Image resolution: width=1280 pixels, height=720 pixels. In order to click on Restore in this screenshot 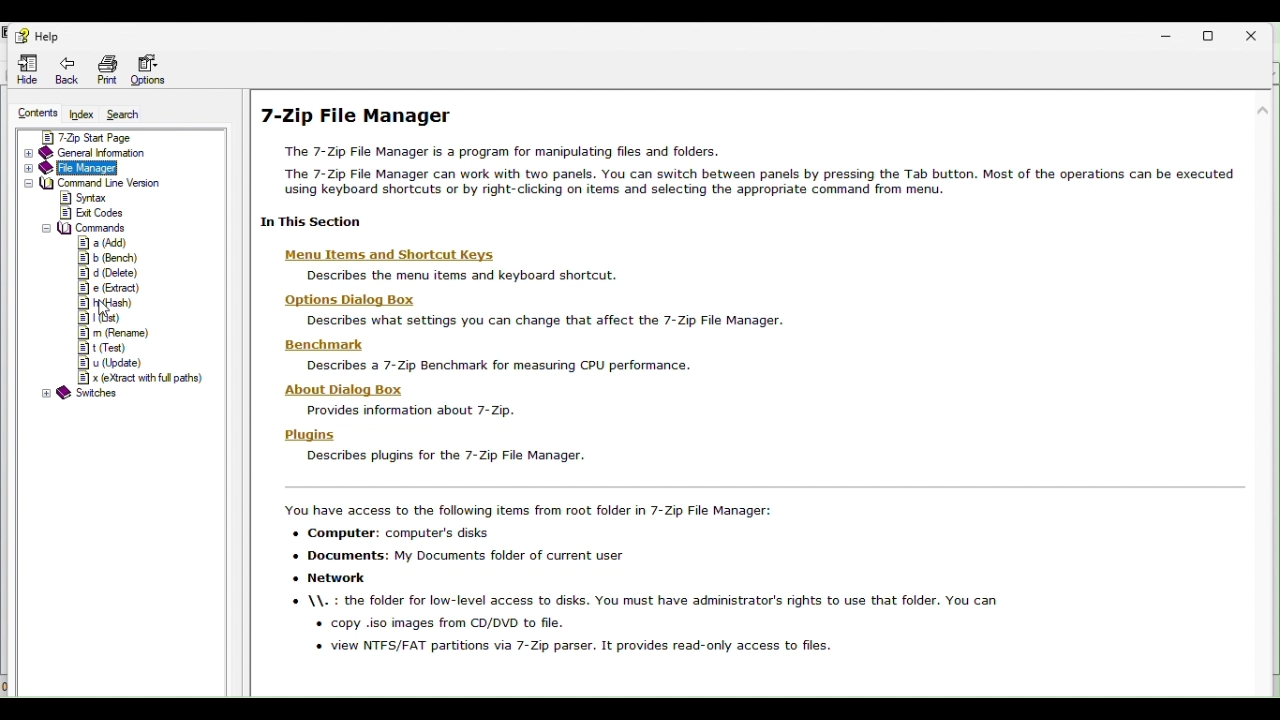, I will do `click(1215, 35)`.